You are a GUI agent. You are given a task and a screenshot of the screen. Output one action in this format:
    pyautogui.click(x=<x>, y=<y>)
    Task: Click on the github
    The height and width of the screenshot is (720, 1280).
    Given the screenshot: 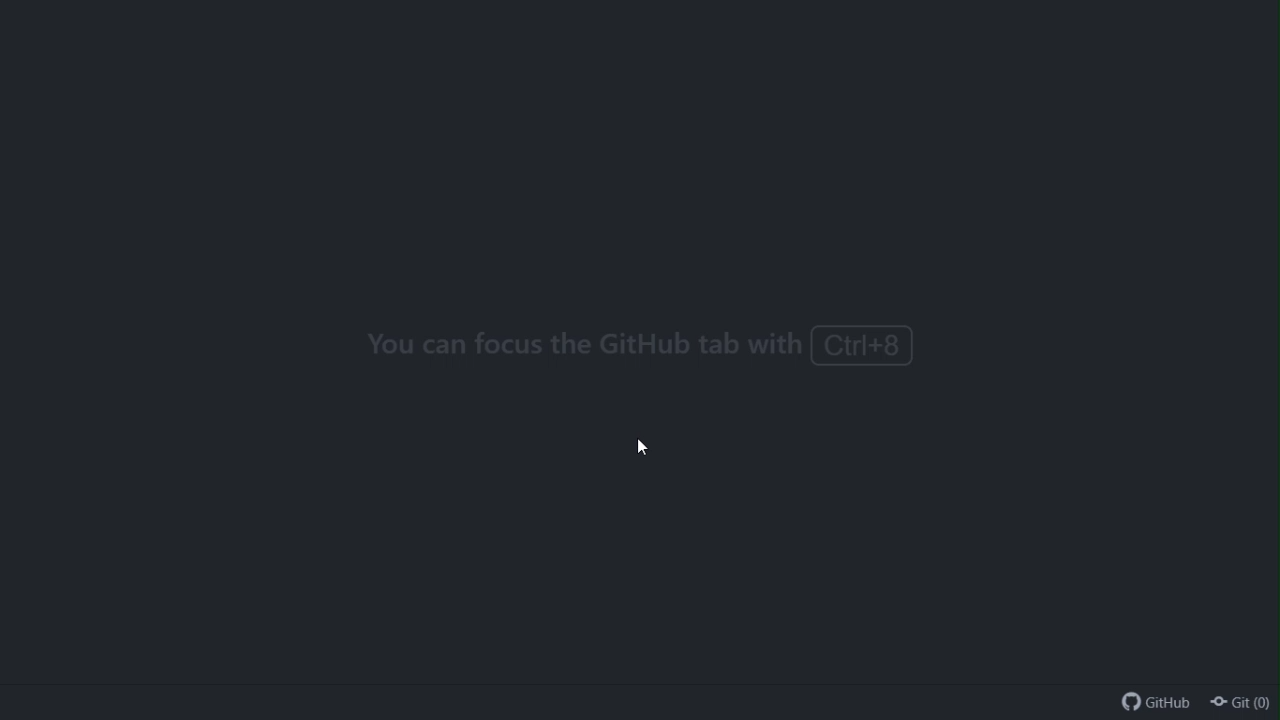 What is the action you would take?
    pyautogui.click(x=1151, y=701)
    